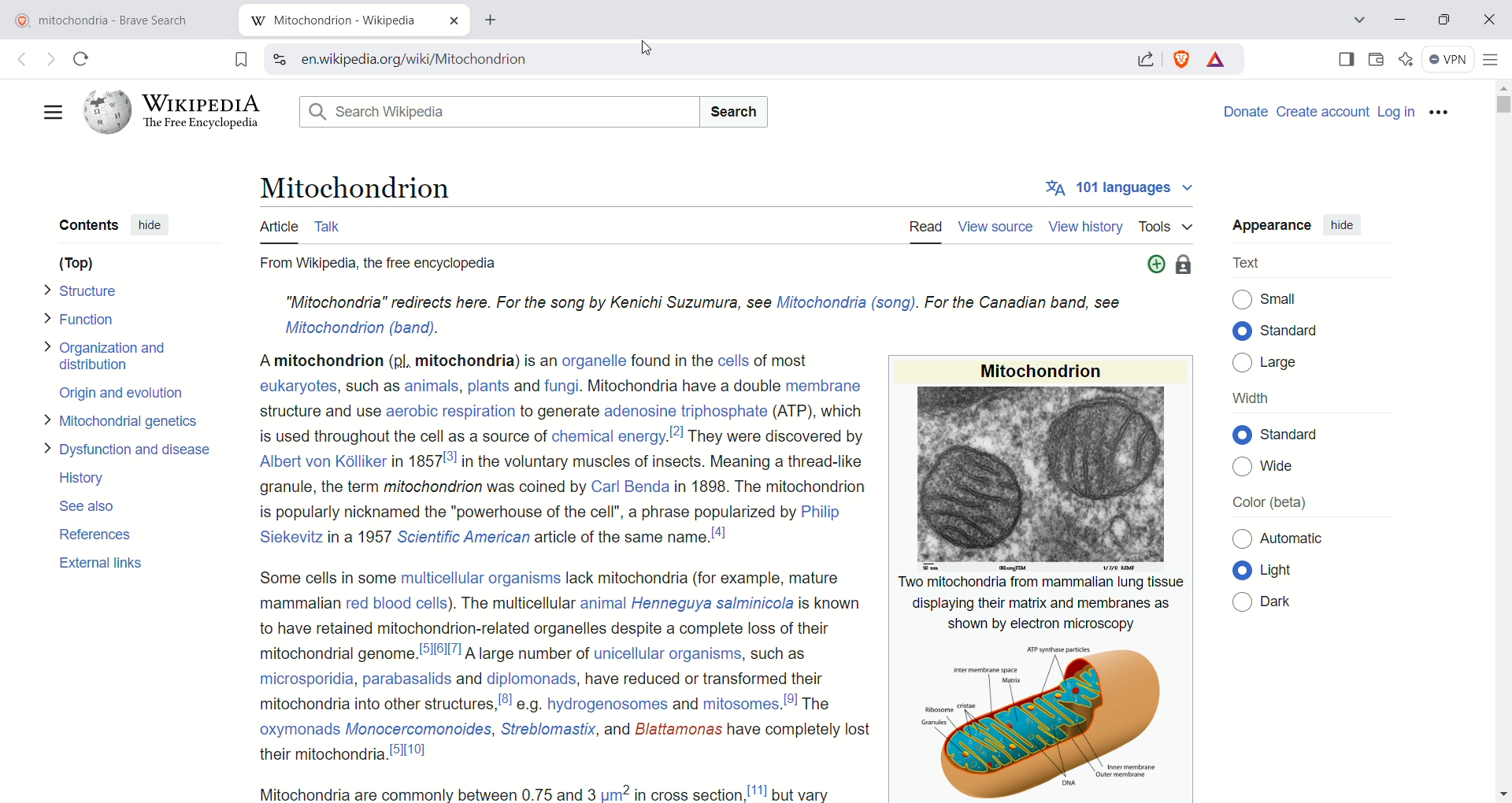 The height and width of the screenshot is (803, 1512). What do you see at coordinates (1503, 442) in the screenshot?
I see `vertical scroll bar` at bounding box center [1503, 442].